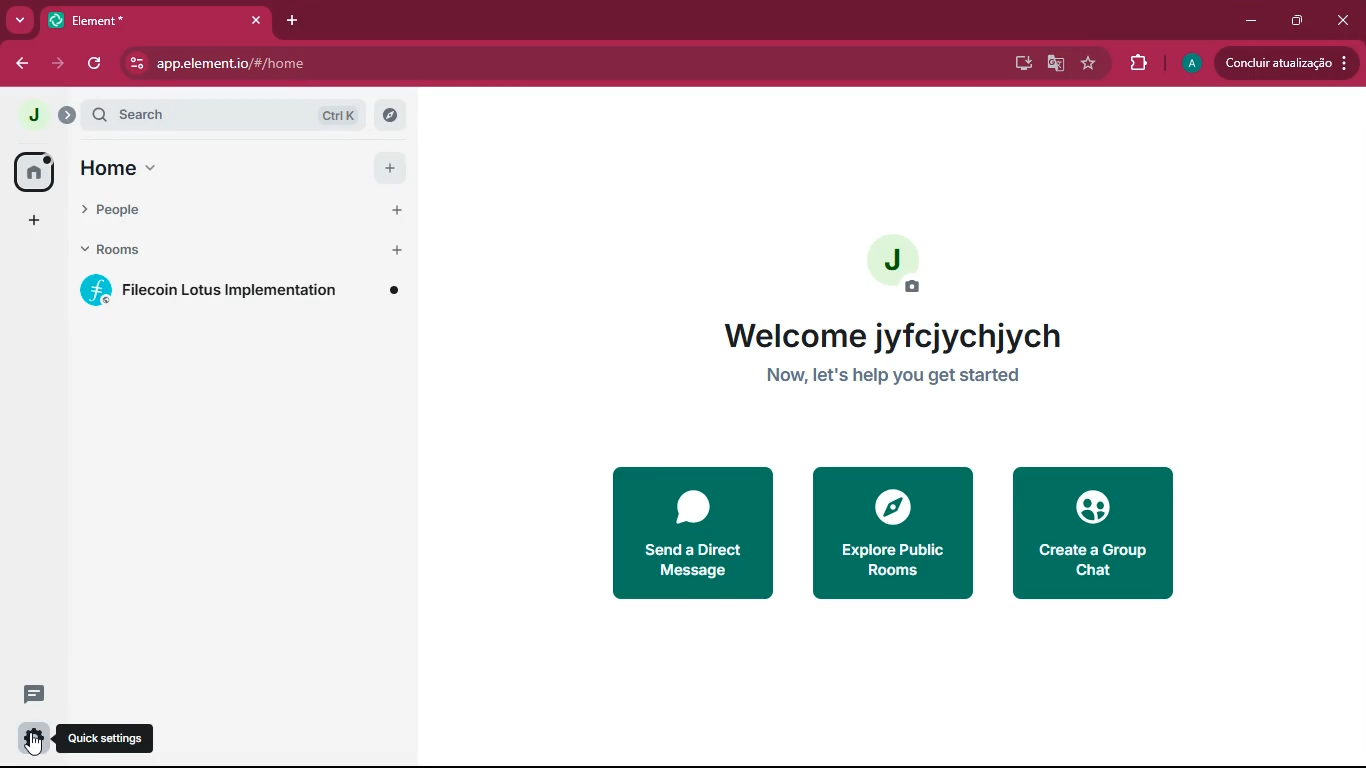 The image size is (1366, 768). Describe the element at coordinates (34, 170) in the screenshot. I see `home` at that location.